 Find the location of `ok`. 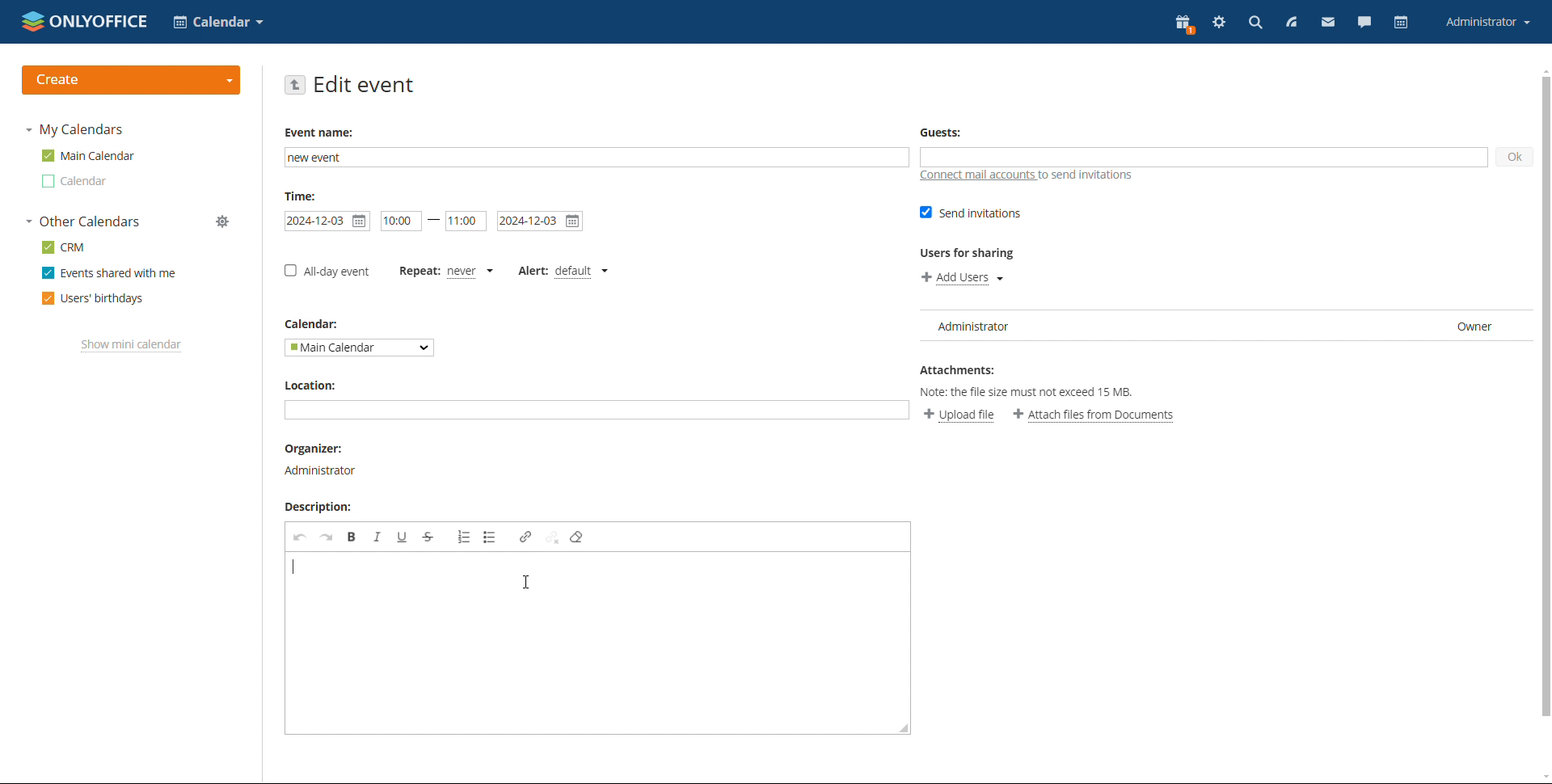

ok is located at coordinates (1512, 158).